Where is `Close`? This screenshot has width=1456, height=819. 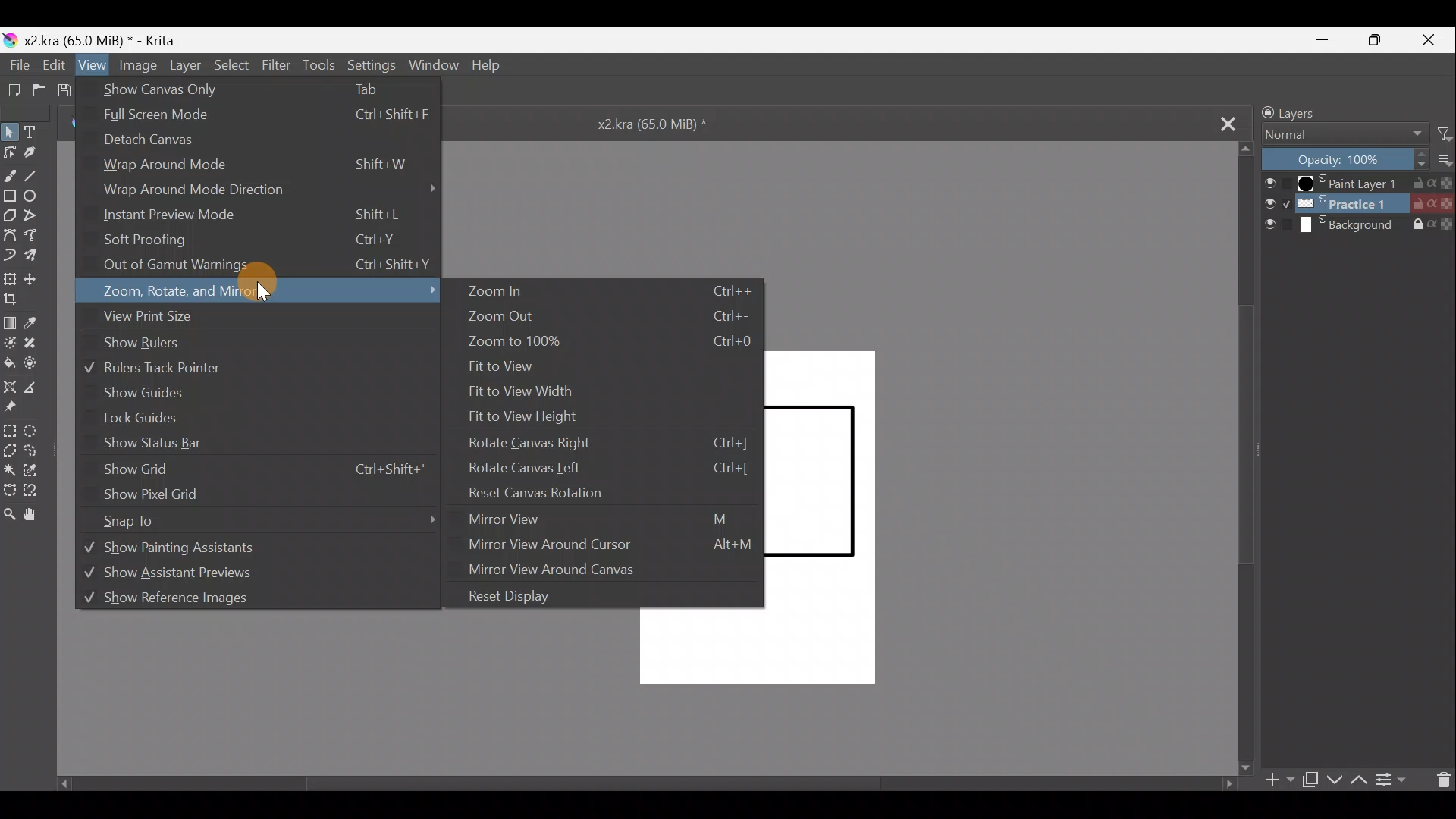 Close is located at coordinates (1432, 39).